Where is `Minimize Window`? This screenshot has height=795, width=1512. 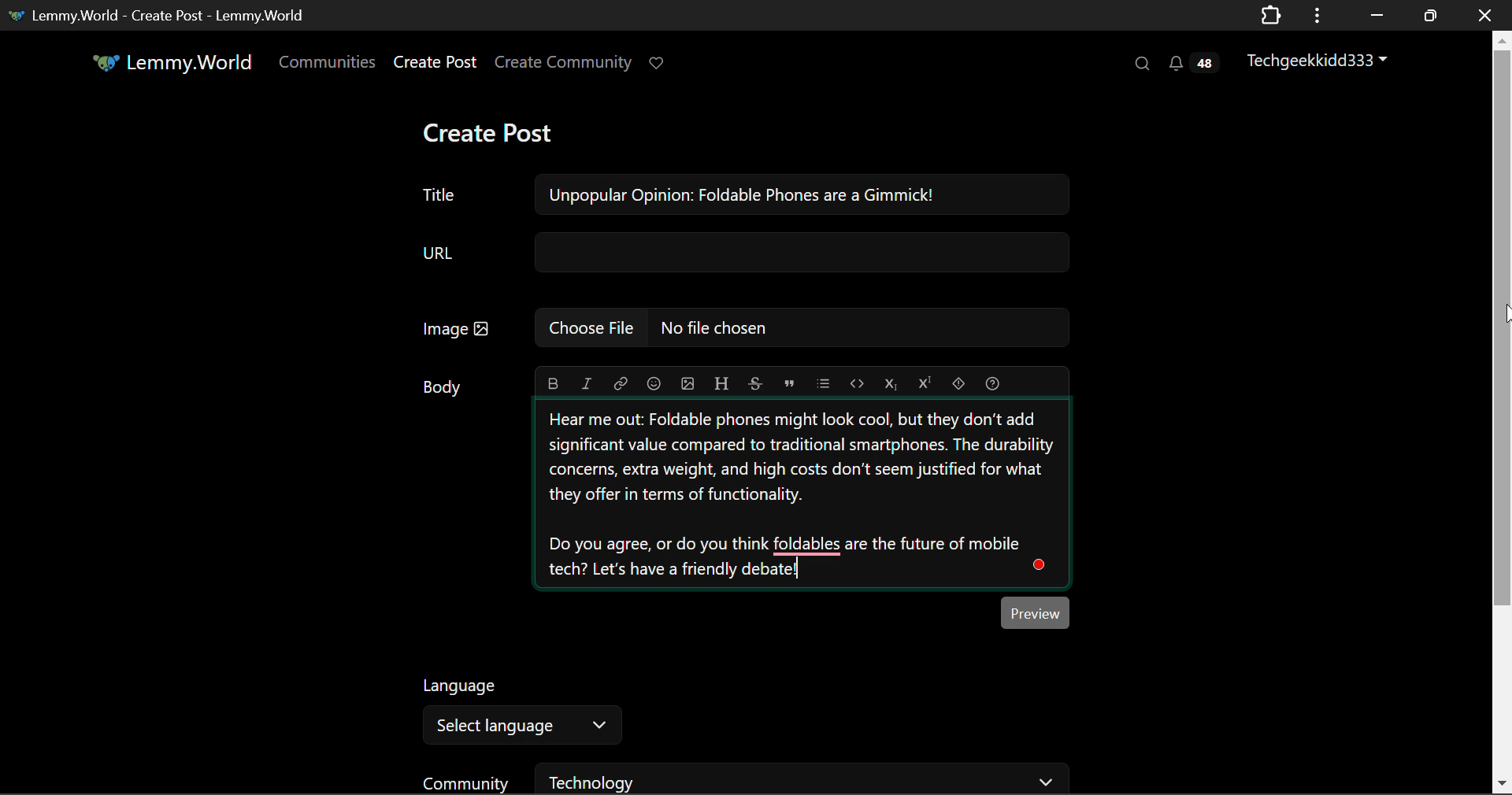
Minimize Window is located at coordinates (1432, 15).